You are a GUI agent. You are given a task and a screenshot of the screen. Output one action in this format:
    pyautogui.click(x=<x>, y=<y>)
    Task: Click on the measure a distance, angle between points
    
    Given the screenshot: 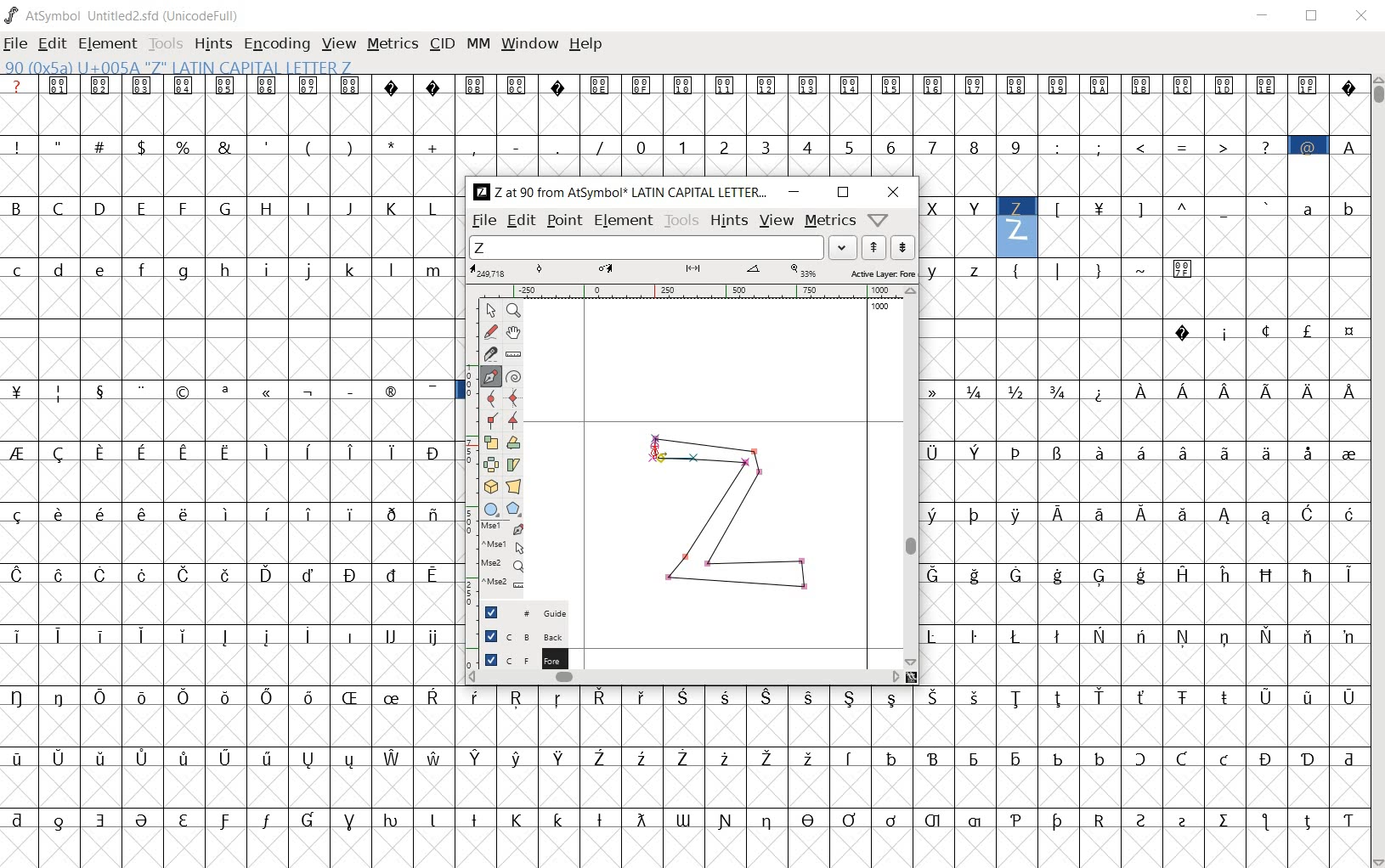 What is the action you would take?
    pyautogui.click(x=512, y=353)
    